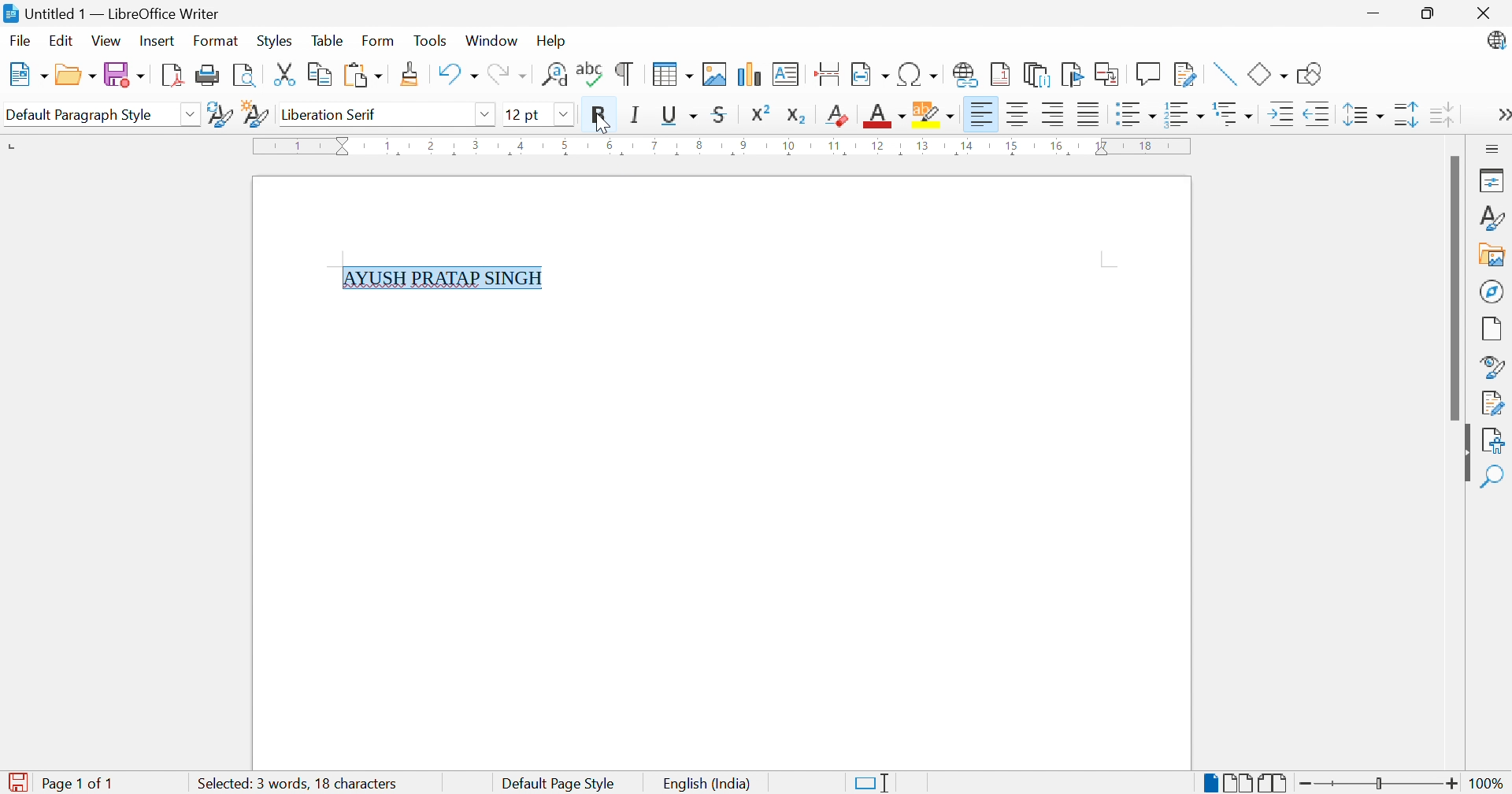 Image resolution: width=1512 pixels, height=794 pixels. I want to click on Open, so click(77, 75).